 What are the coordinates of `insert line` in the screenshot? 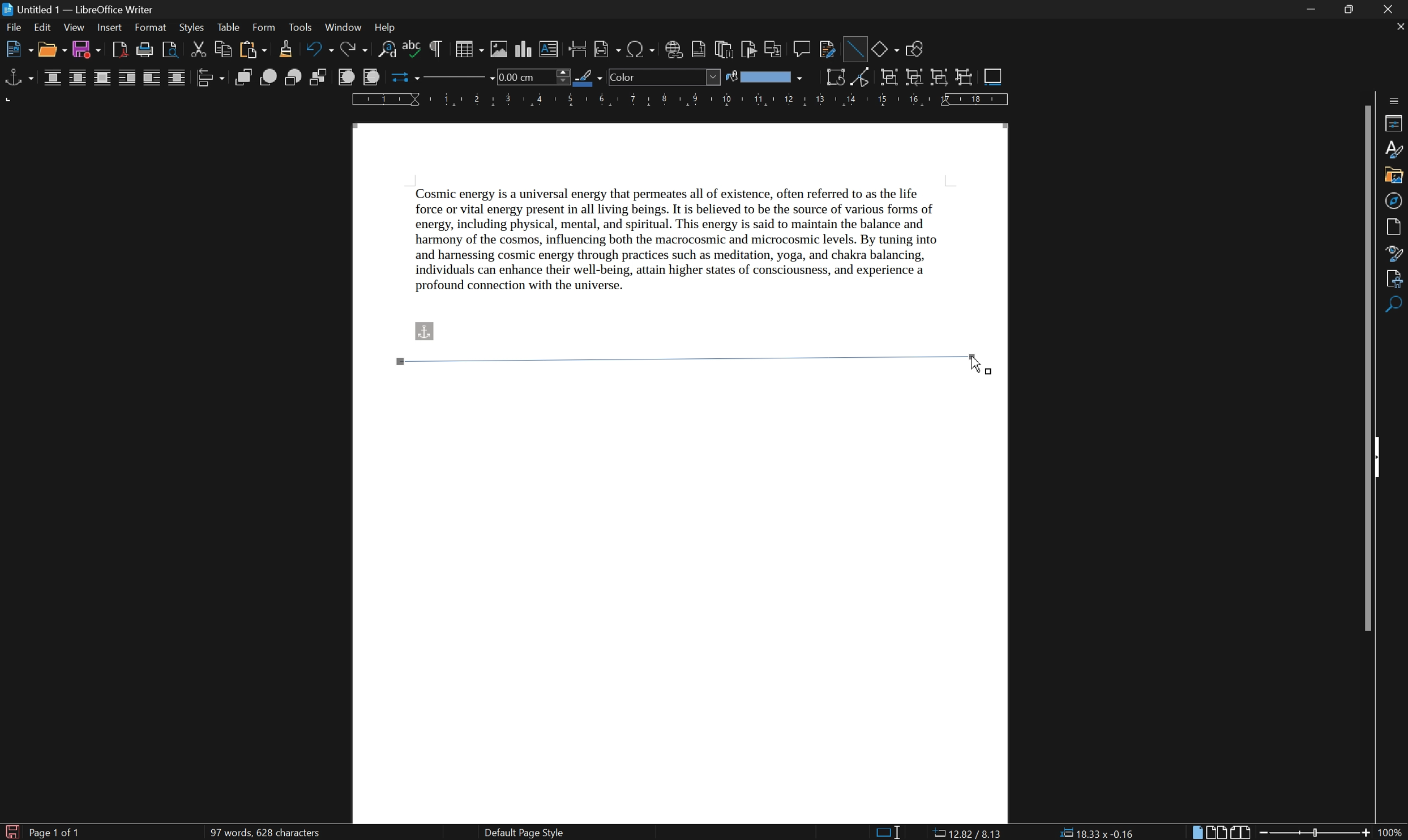 It's located at (854, 47).